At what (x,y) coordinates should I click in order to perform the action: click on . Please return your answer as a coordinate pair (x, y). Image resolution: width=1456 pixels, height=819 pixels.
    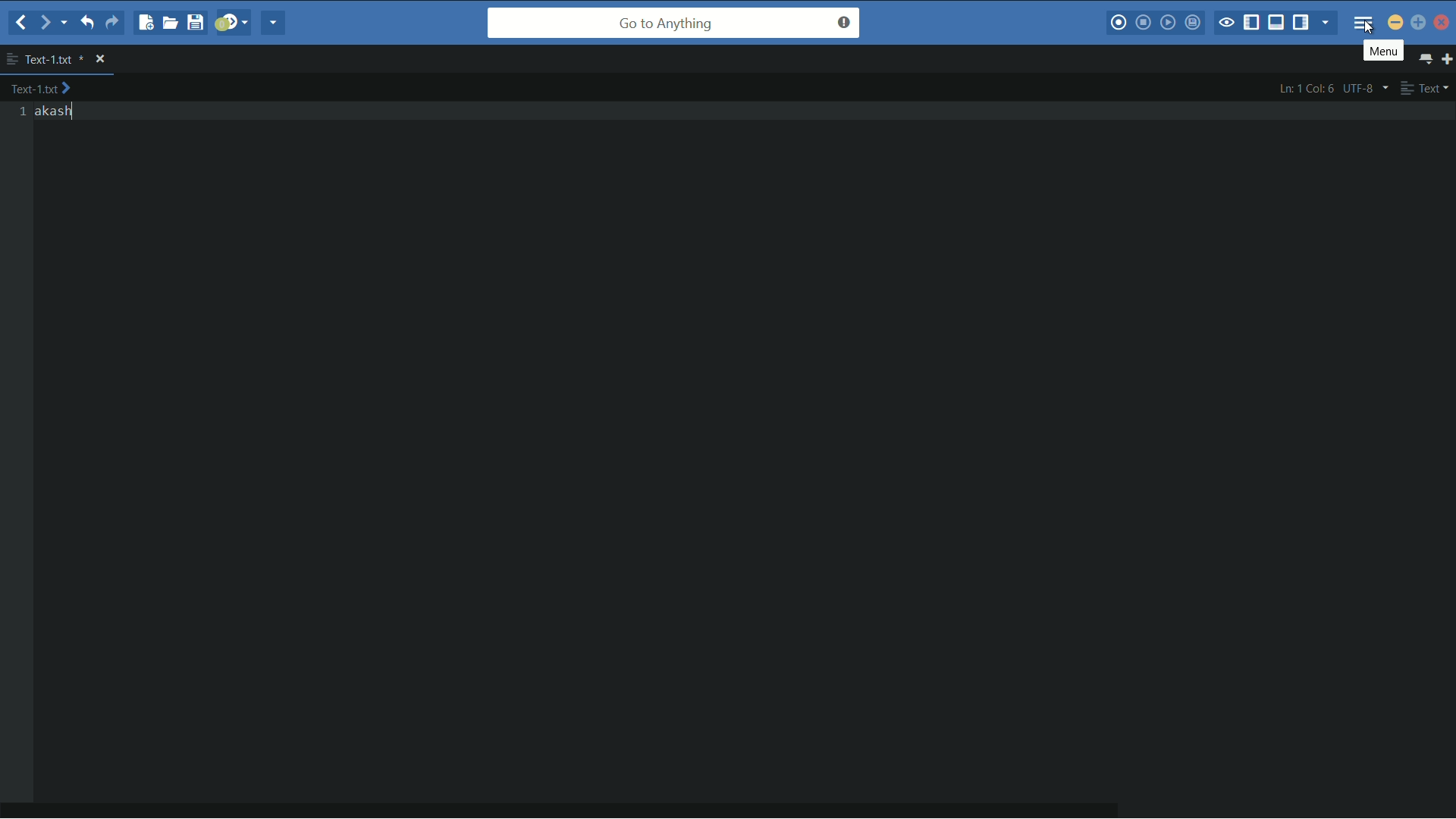
    Looking at the image, I should click on (113, 23).